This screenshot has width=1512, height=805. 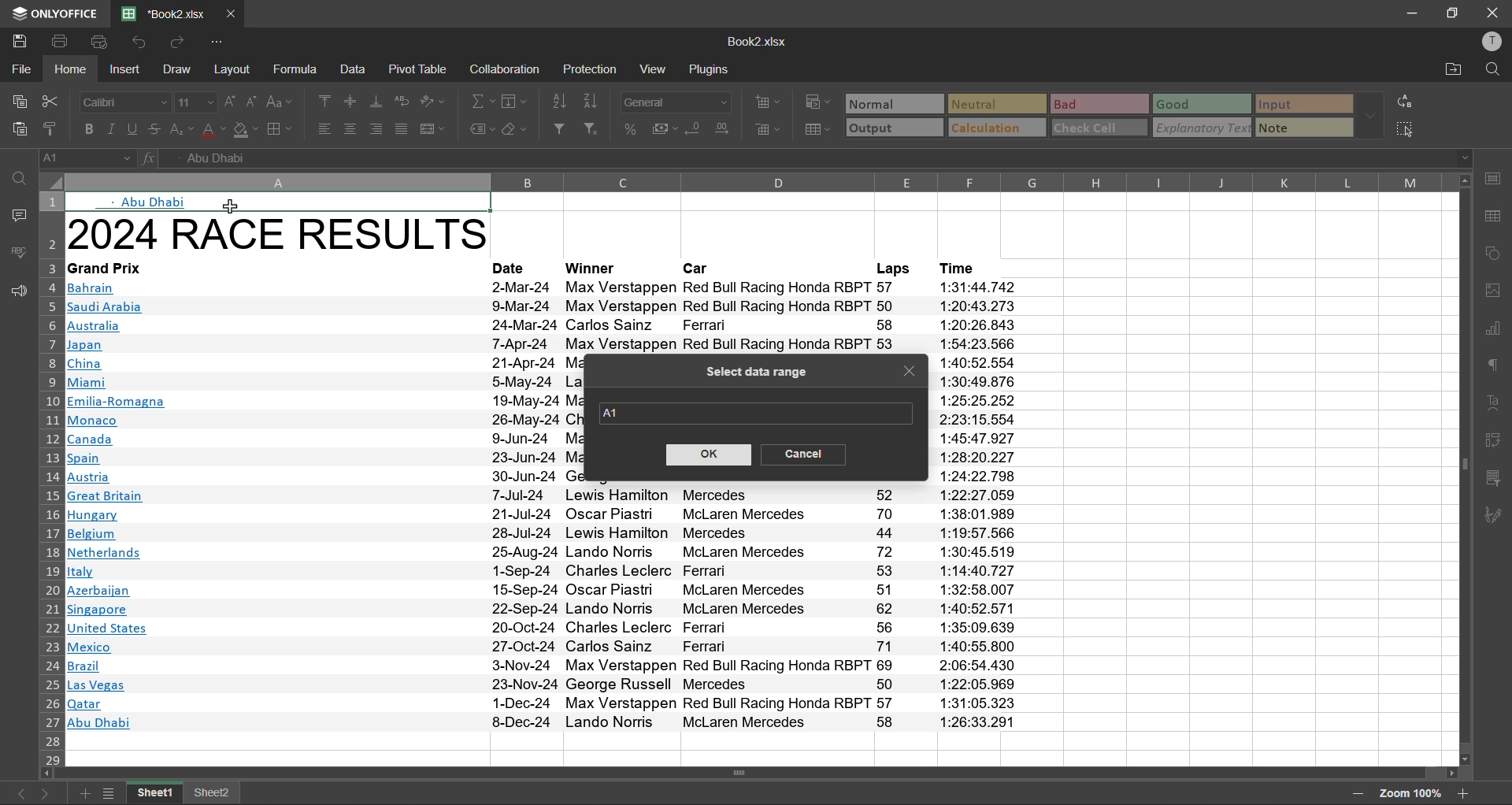 What do you see at coordinates (377, 133) in the screenshot?
I see `align  right` at bounding box center [377, 133].